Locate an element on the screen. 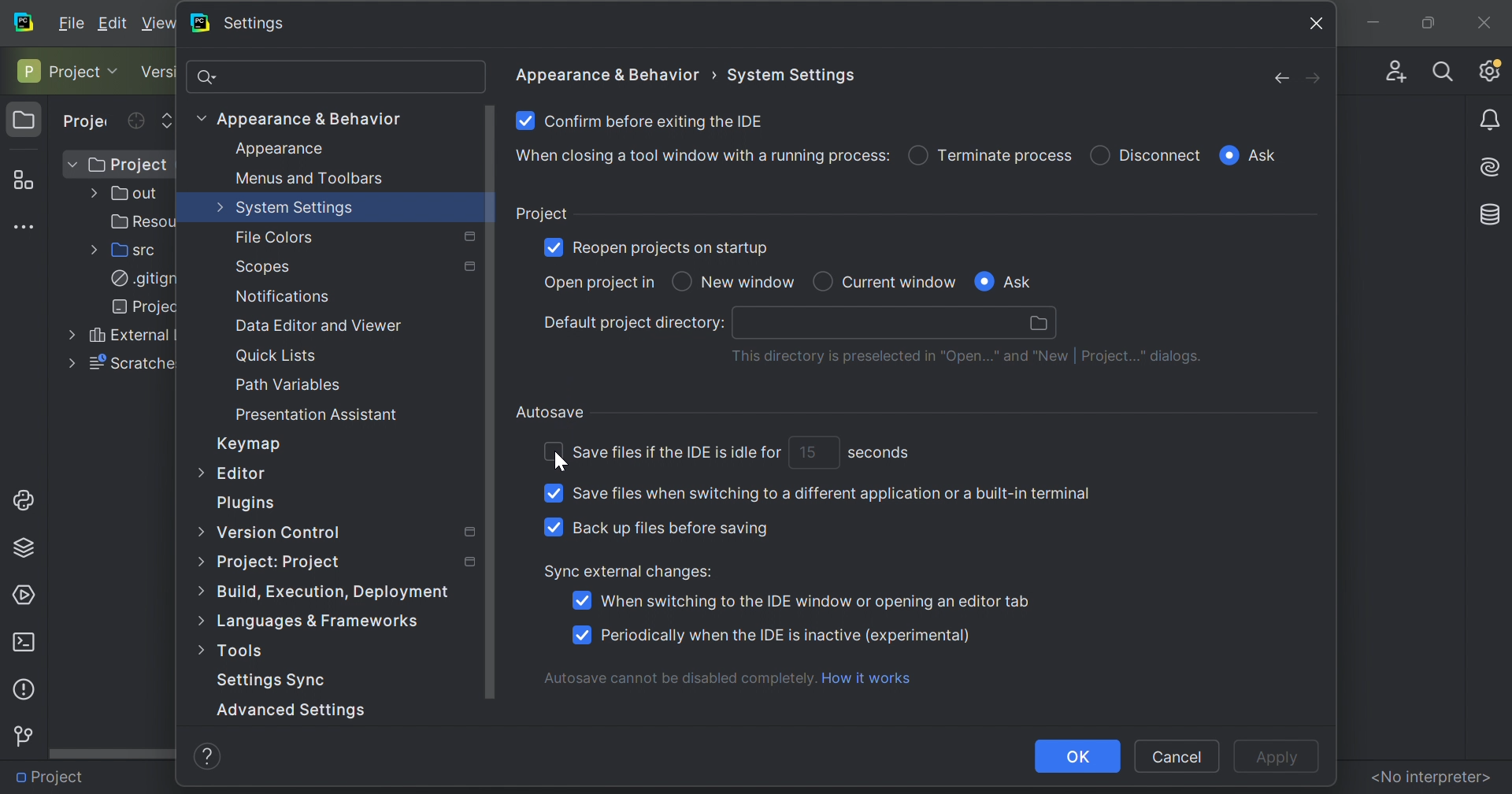 The image size is (1512, 794). Projec.. is located at coordinates (134, 307).